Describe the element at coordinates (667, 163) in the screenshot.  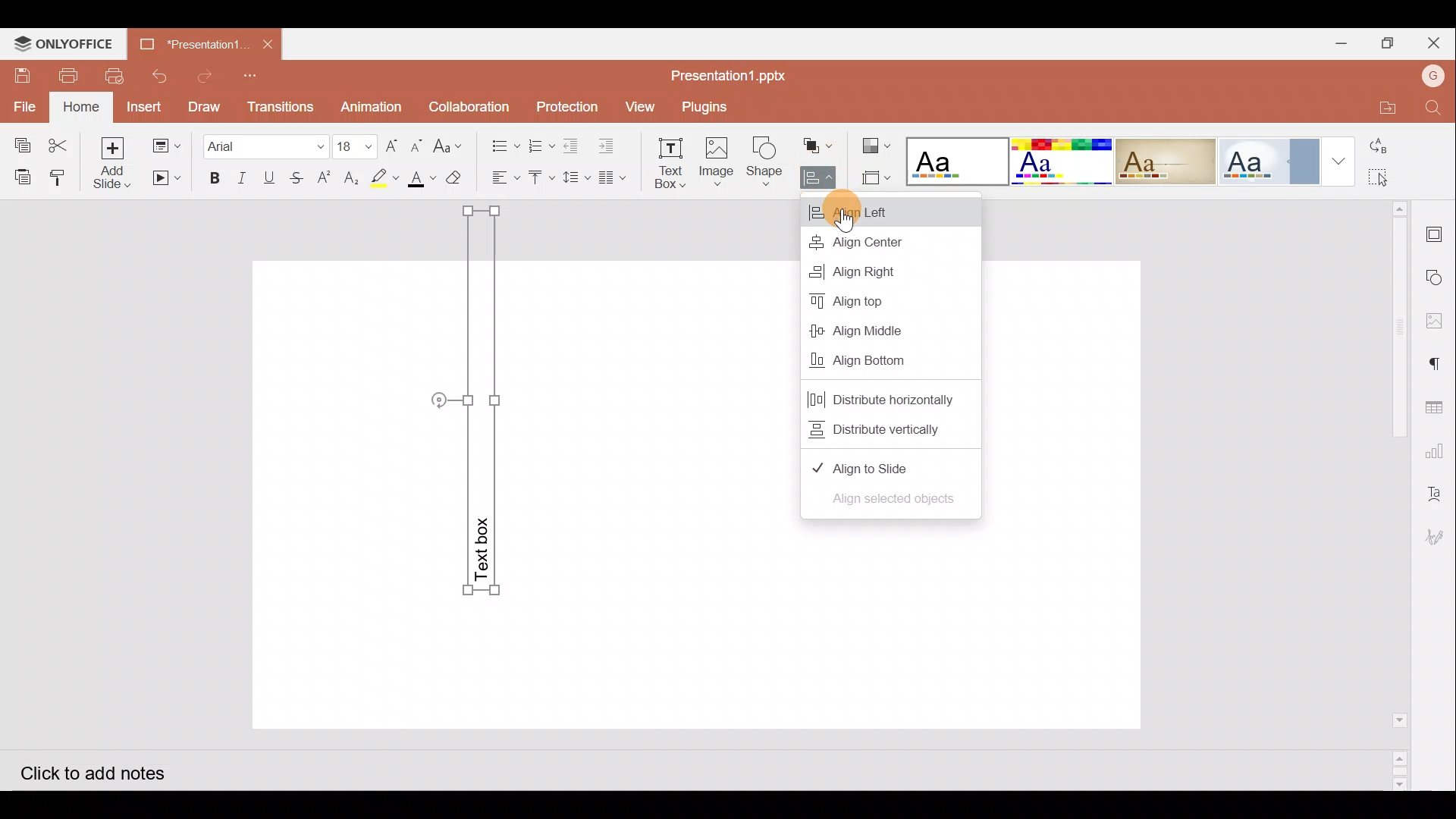
I see `Insert text box` at that location.